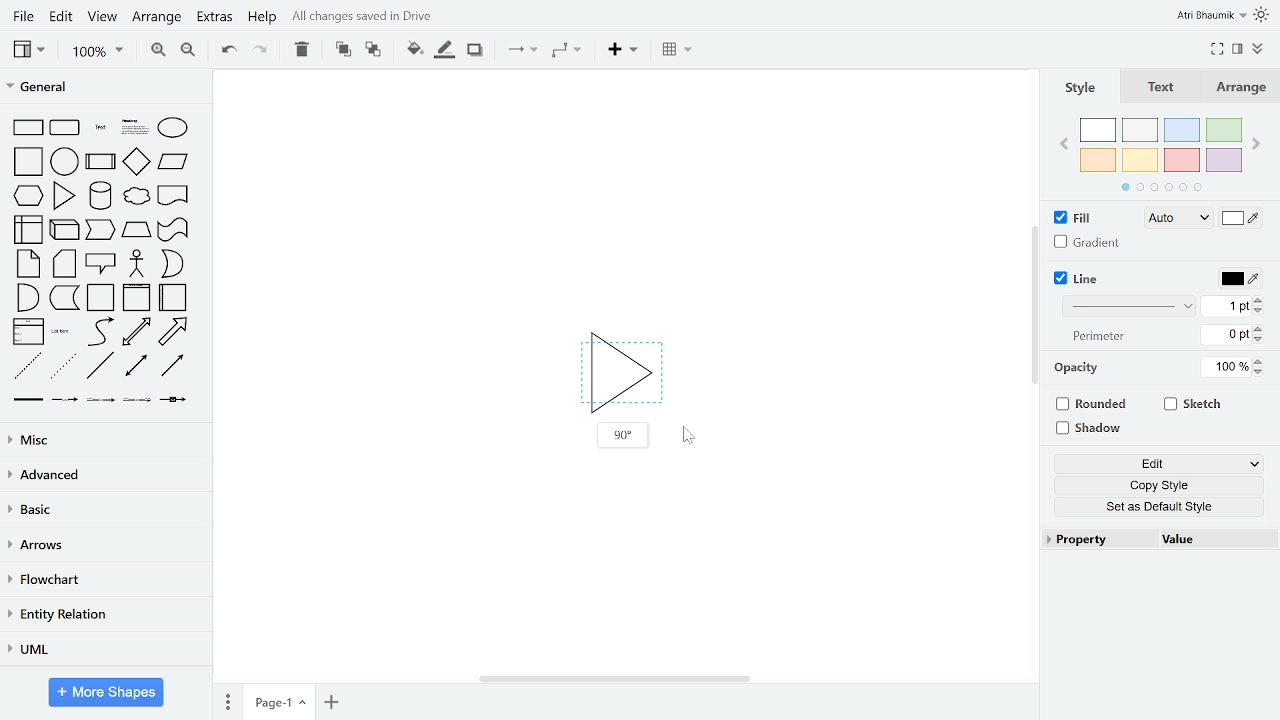 The width and height of the screenshot is (1280, 720). I want to click on container, so click(100, 298).